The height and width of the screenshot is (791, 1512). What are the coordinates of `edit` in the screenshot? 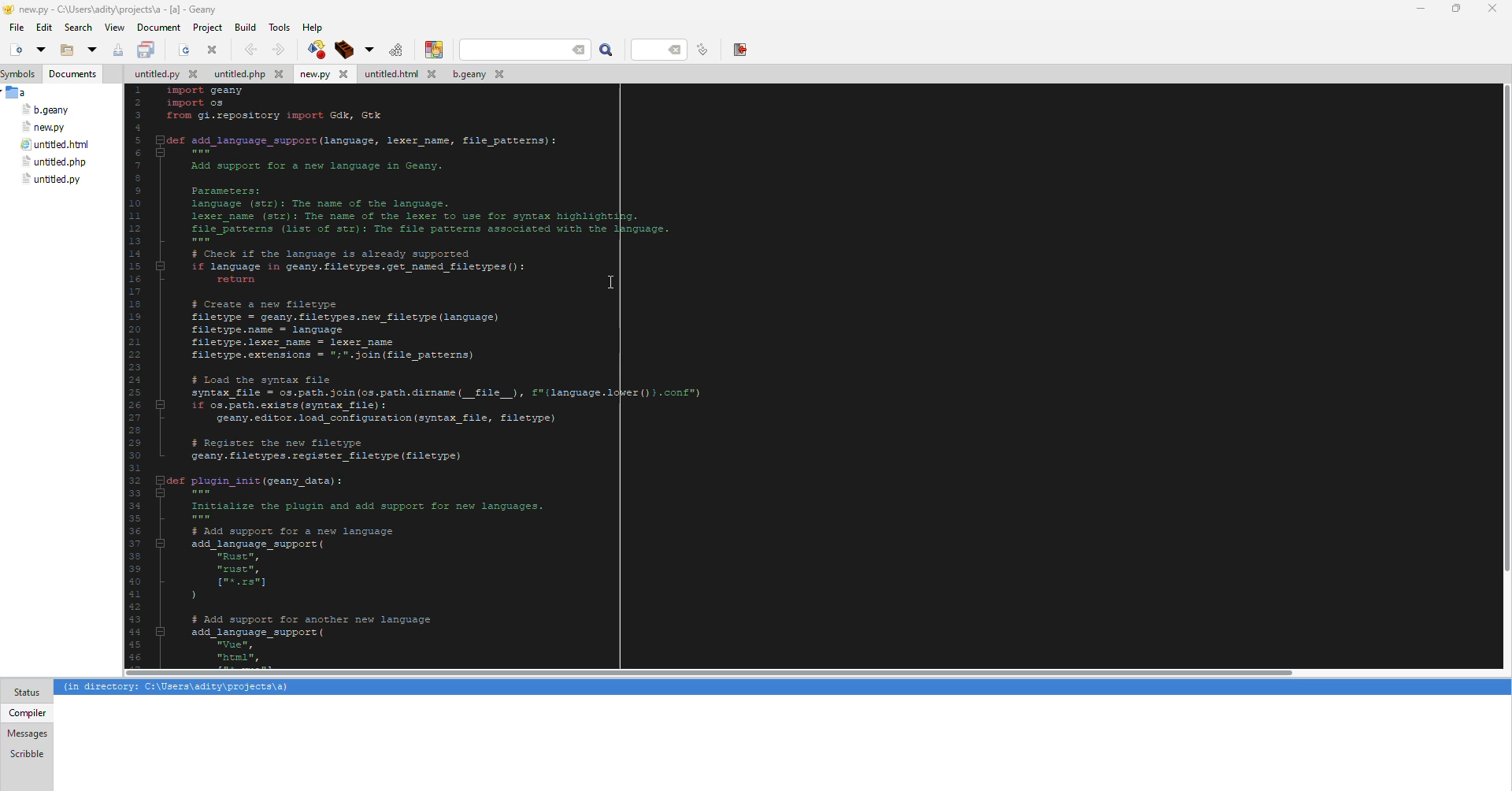 It's located at (43, 28).